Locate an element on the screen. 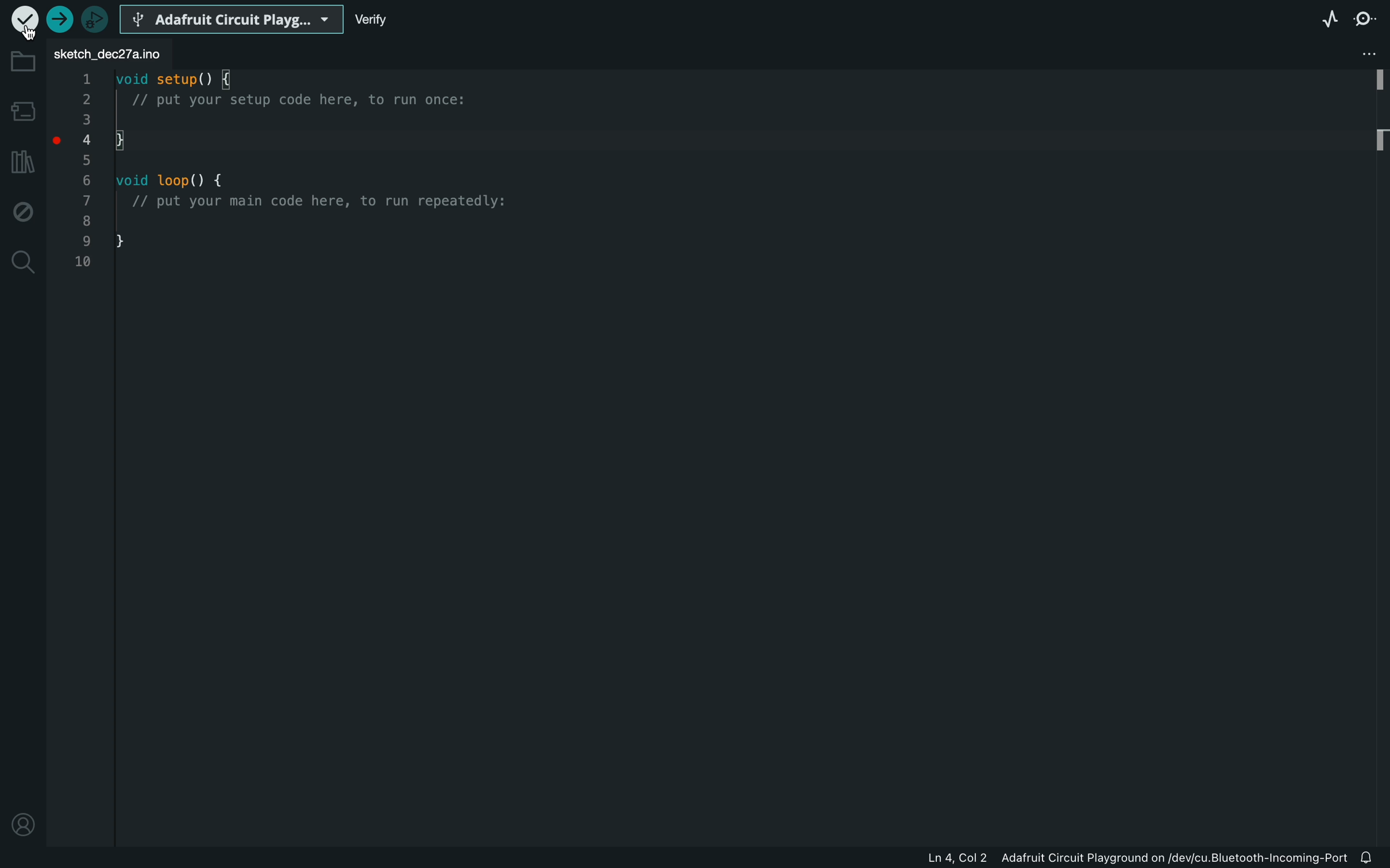 This screenshot has width=1390, height=868. serial monitor is located at coordinates (1368, 22).